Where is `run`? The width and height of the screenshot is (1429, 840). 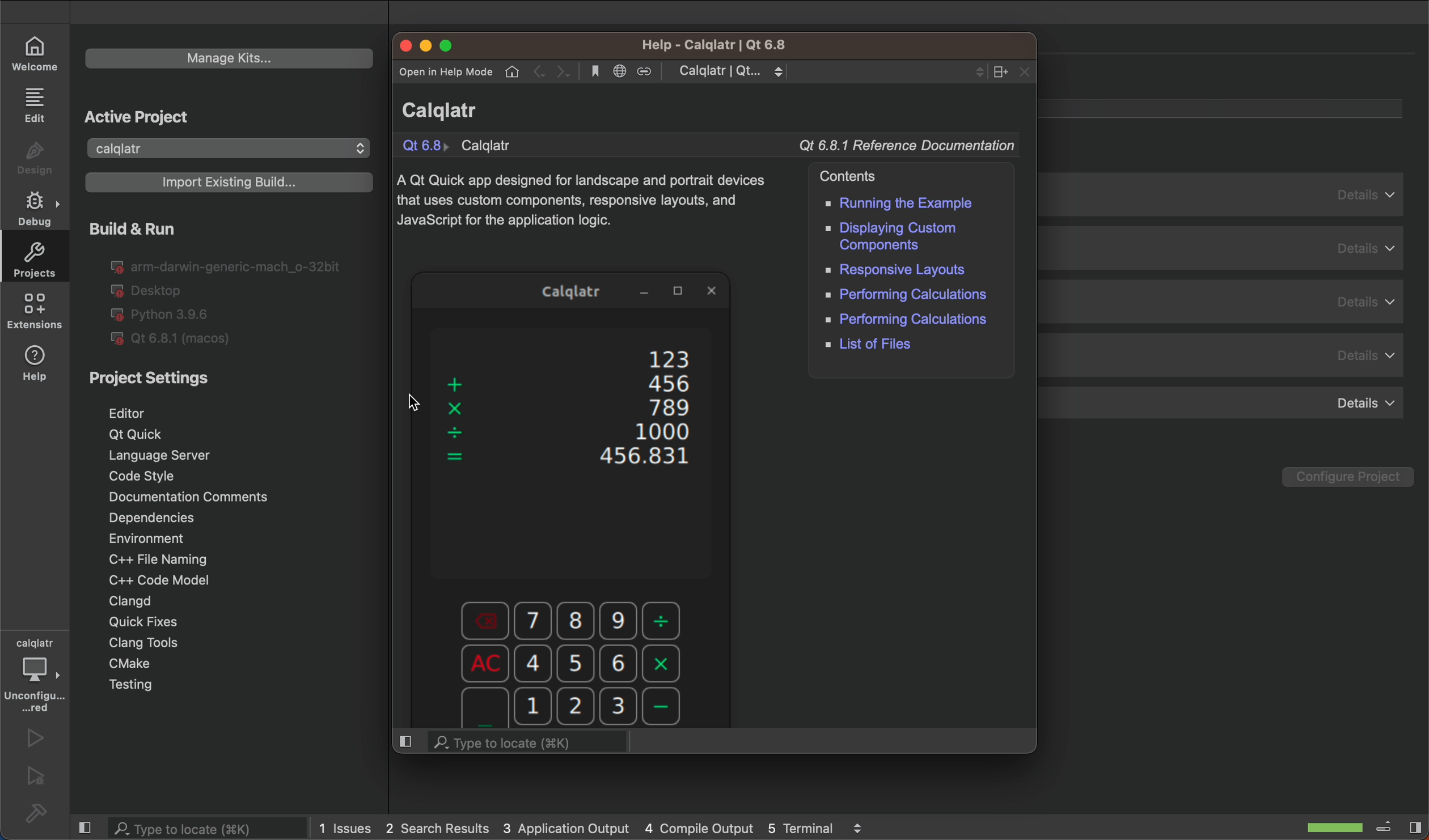
run is located at coordinates (40, 739).